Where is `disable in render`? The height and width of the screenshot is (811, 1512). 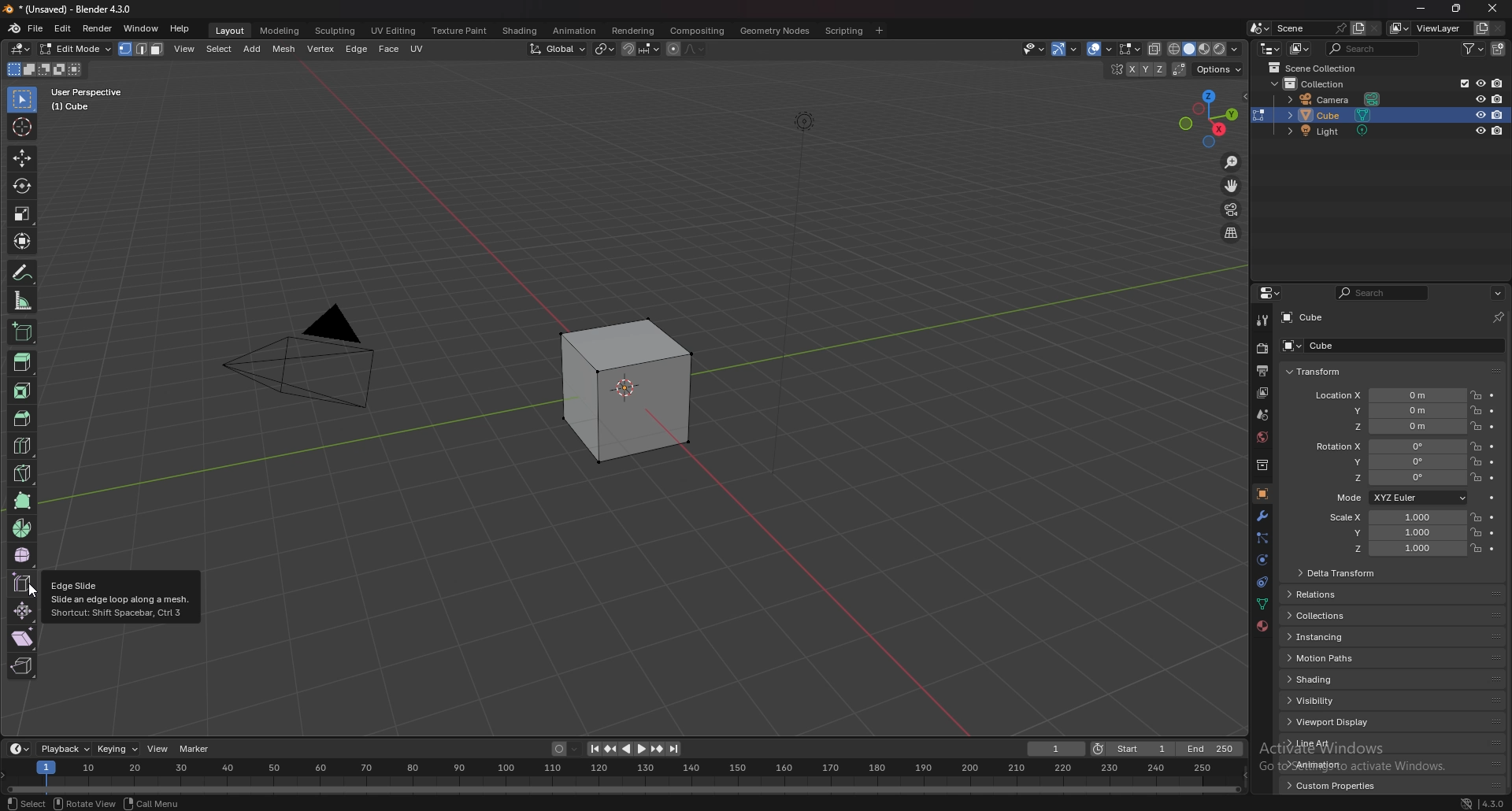
disable in render is located at coordinates (1498, 131).